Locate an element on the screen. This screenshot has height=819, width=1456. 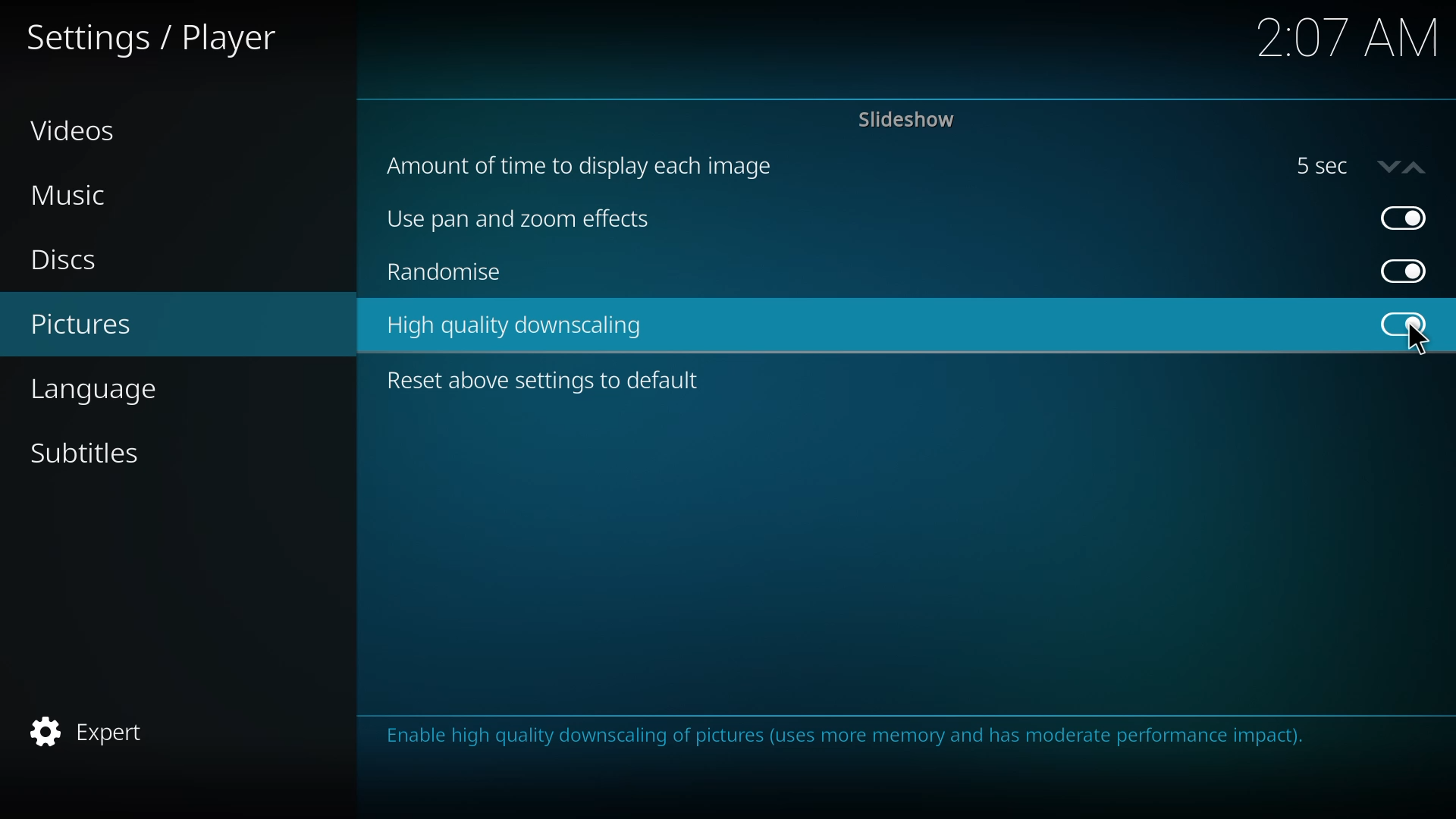
language is located at coordinates (117, 390).